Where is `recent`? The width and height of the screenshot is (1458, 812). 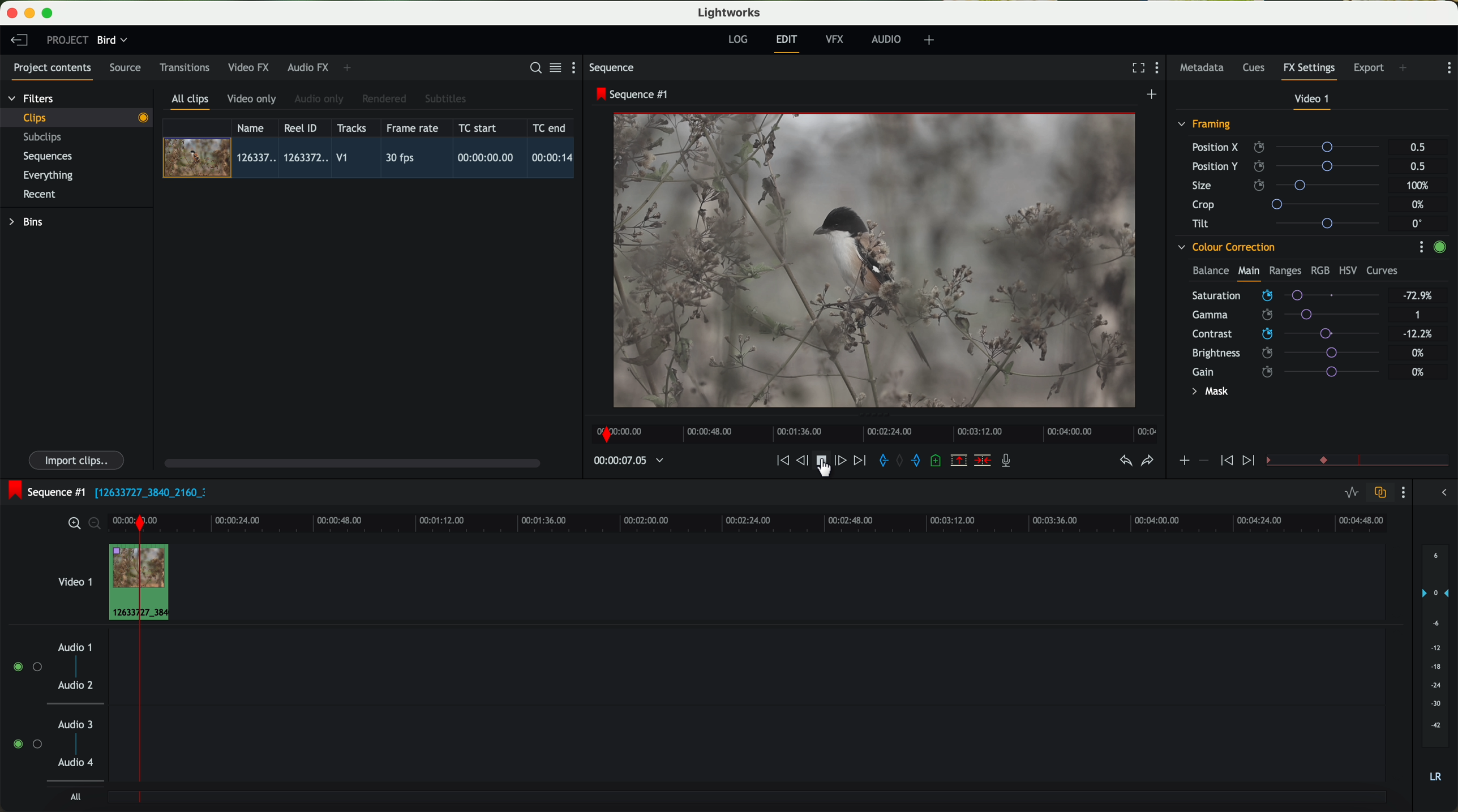 recent is located at coordinates (40, 196).